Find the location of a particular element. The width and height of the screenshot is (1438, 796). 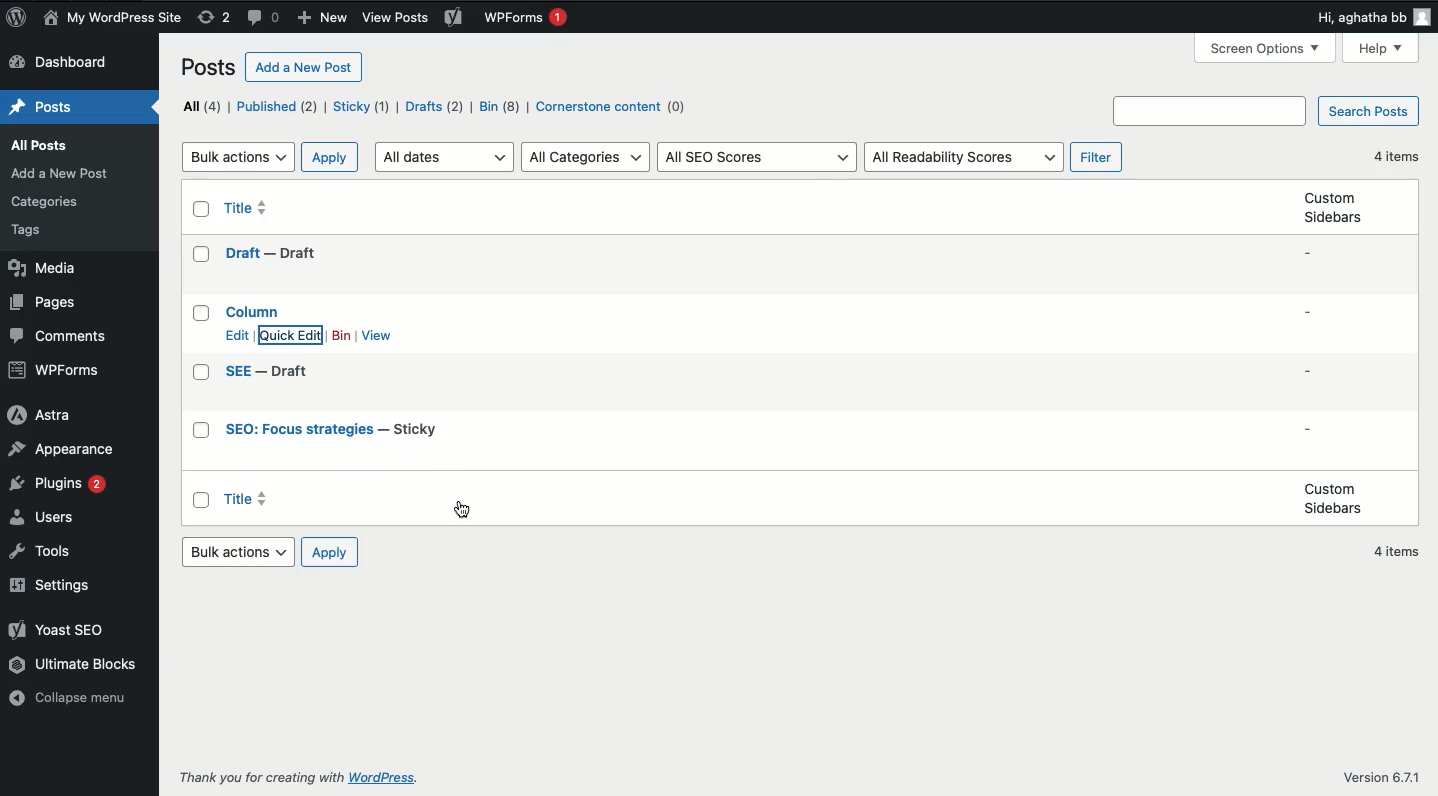

Sticky is located at coordinates (362, 107).